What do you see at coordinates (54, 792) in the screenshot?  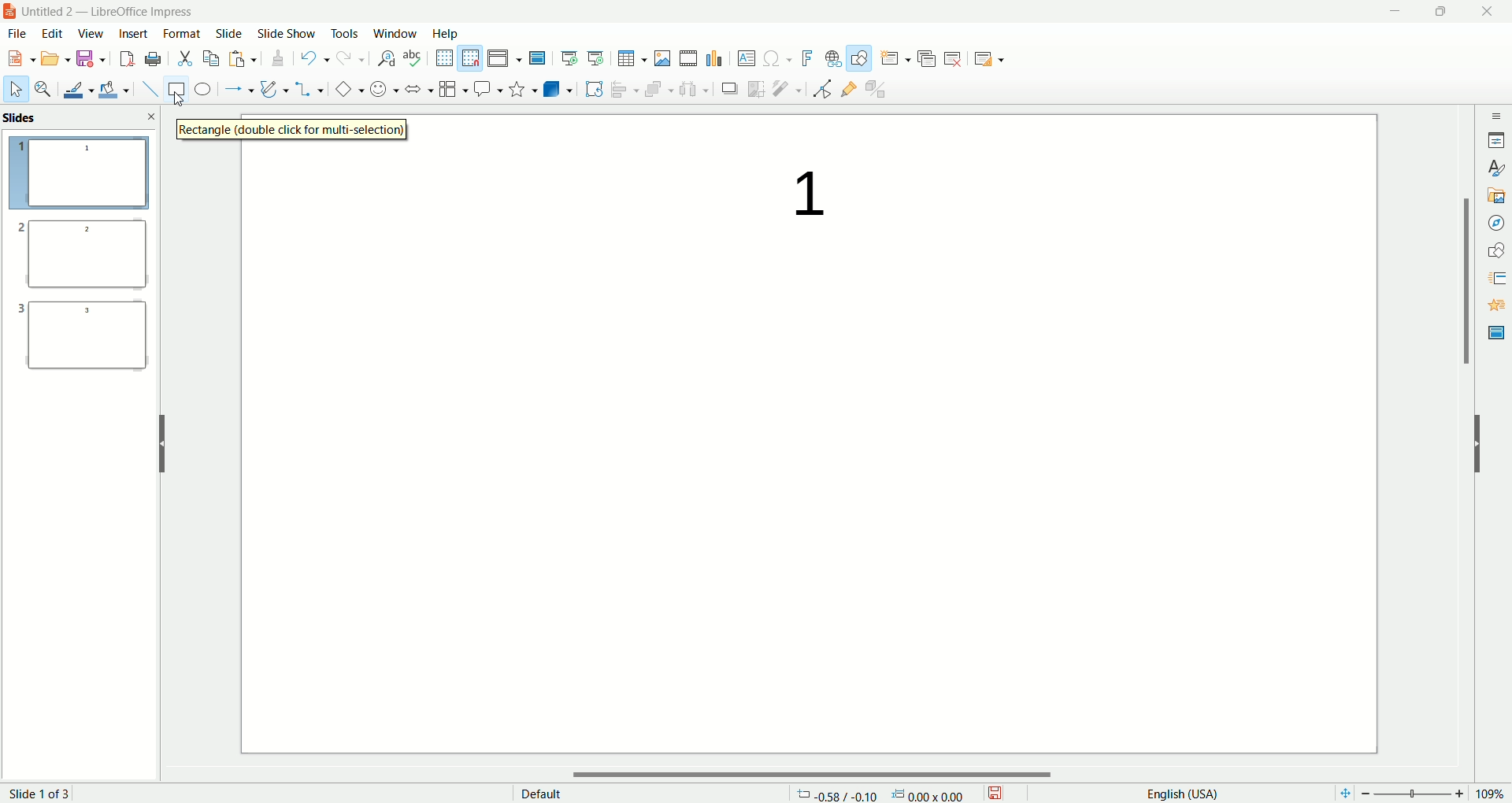 I see `page number` at bounding box center [54, 792].